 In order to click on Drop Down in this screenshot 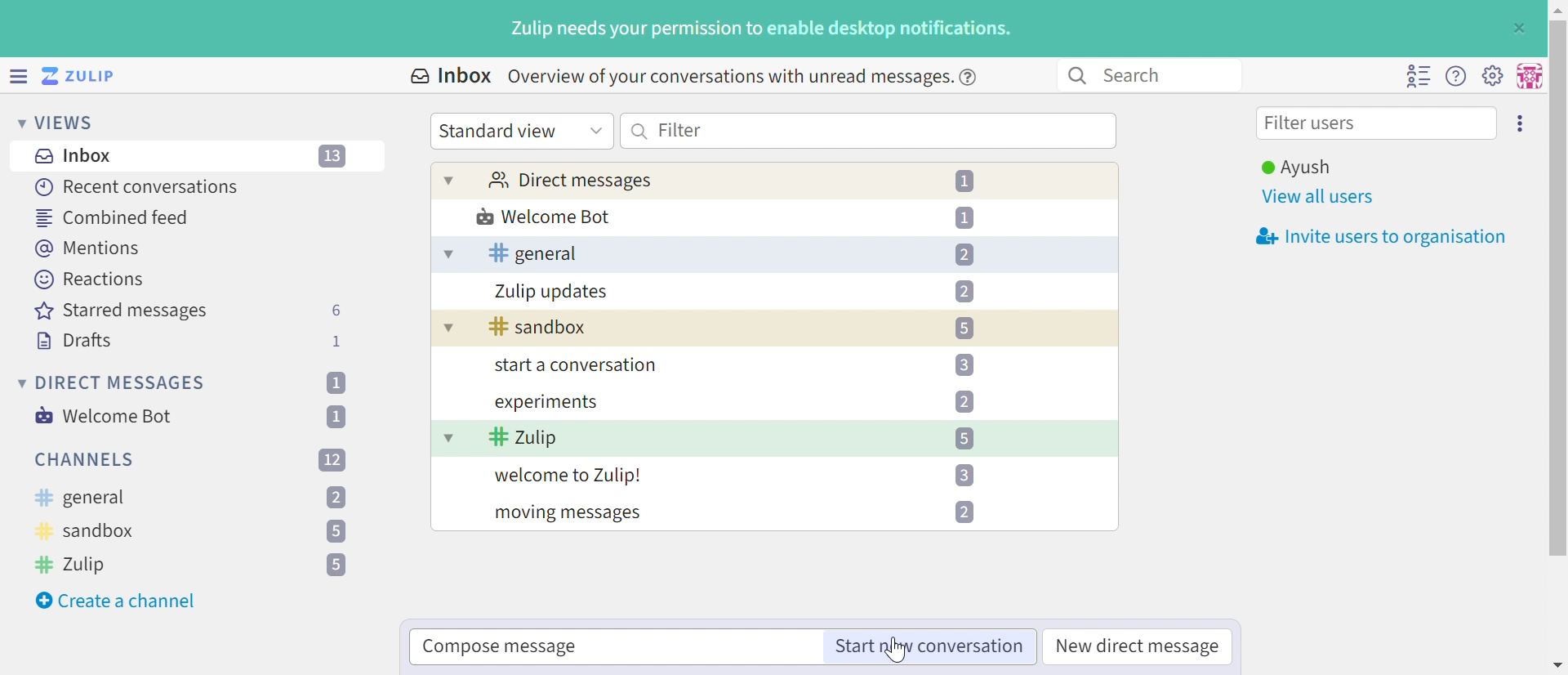, I will do `click(596, 129)`.